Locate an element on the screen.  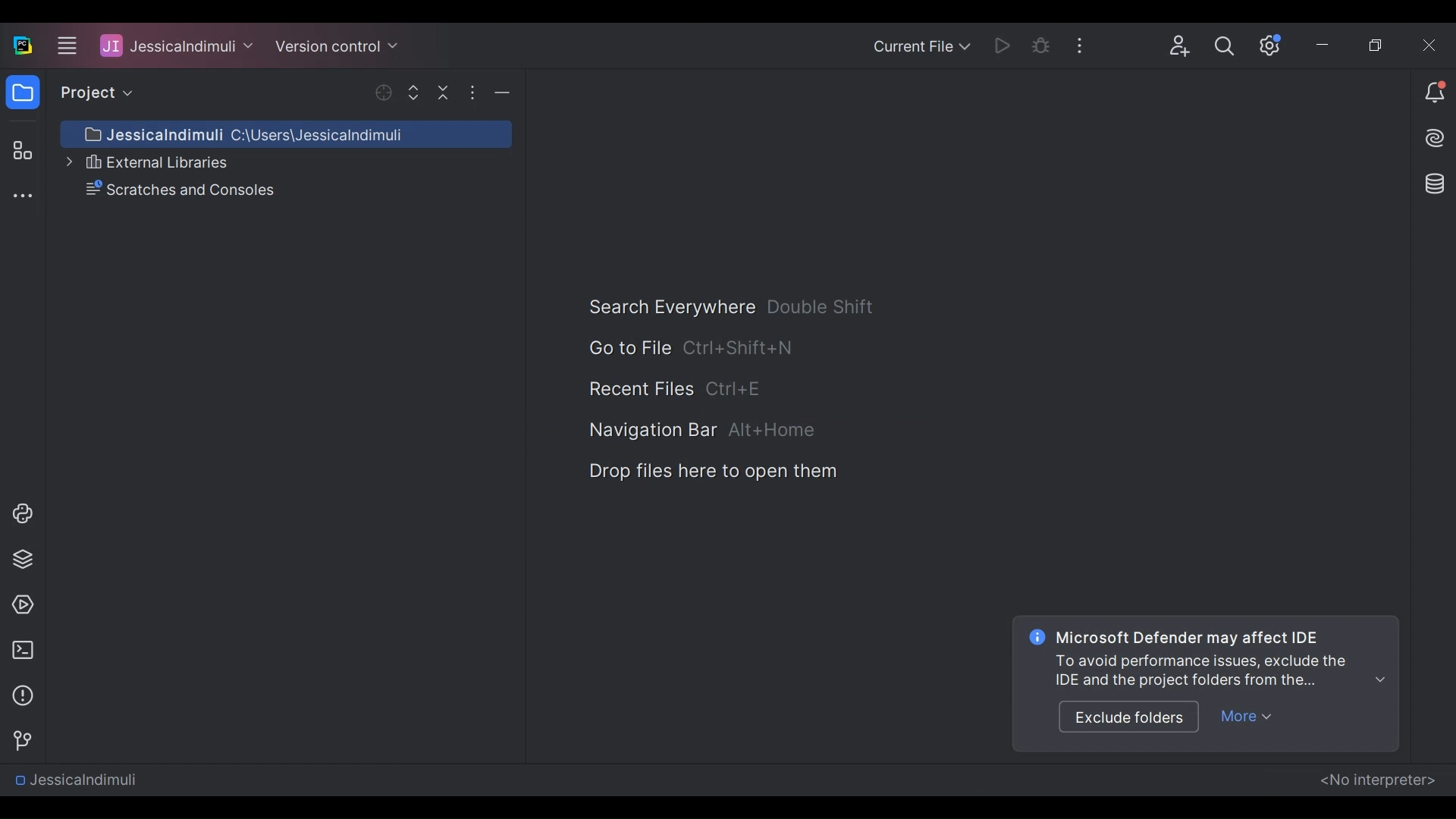
Restore is located at coordinates (1376, 45).